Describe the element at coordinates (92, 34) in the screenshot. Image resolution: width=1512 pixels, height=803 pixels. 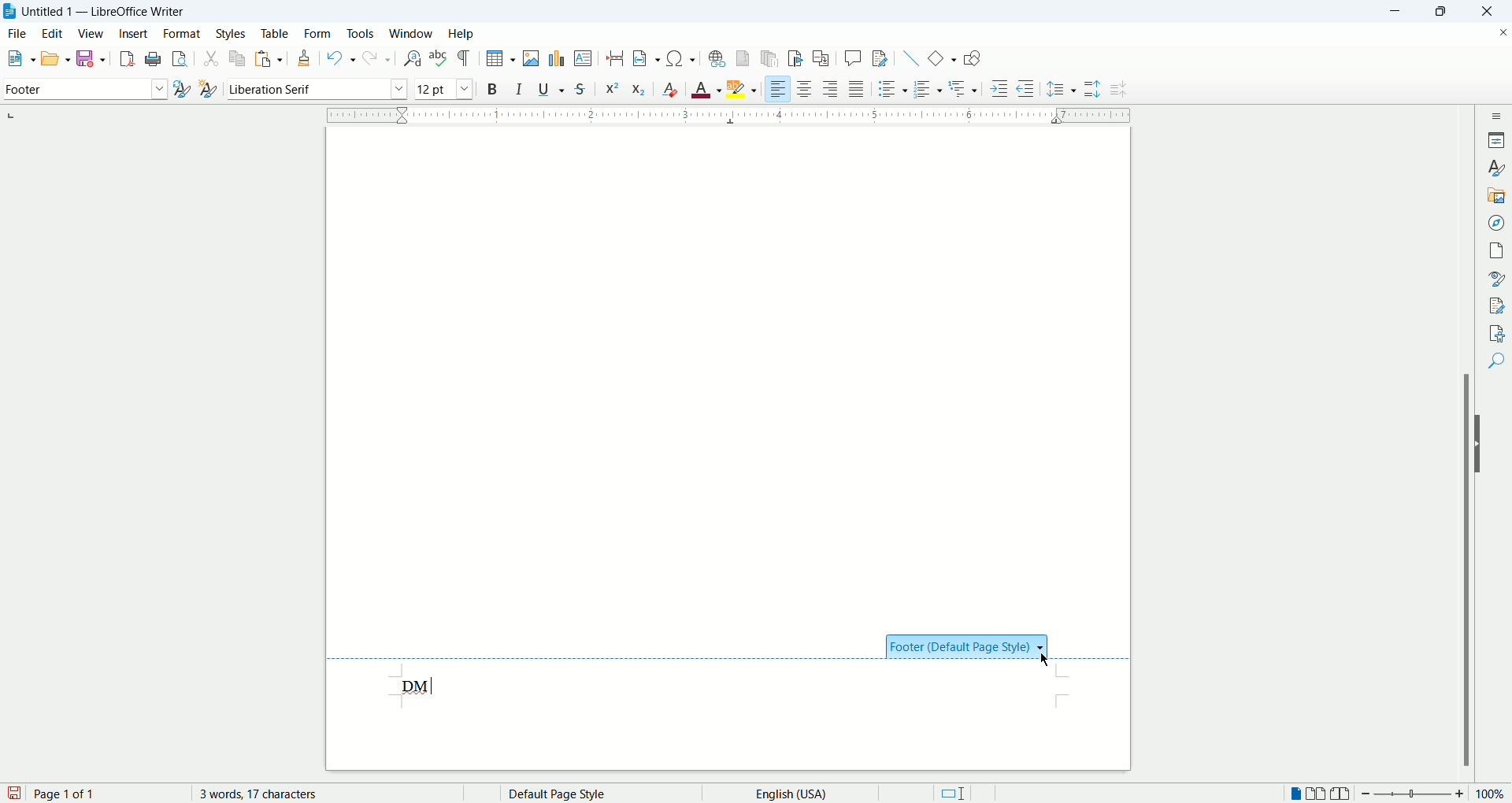
I see `view` at that location.